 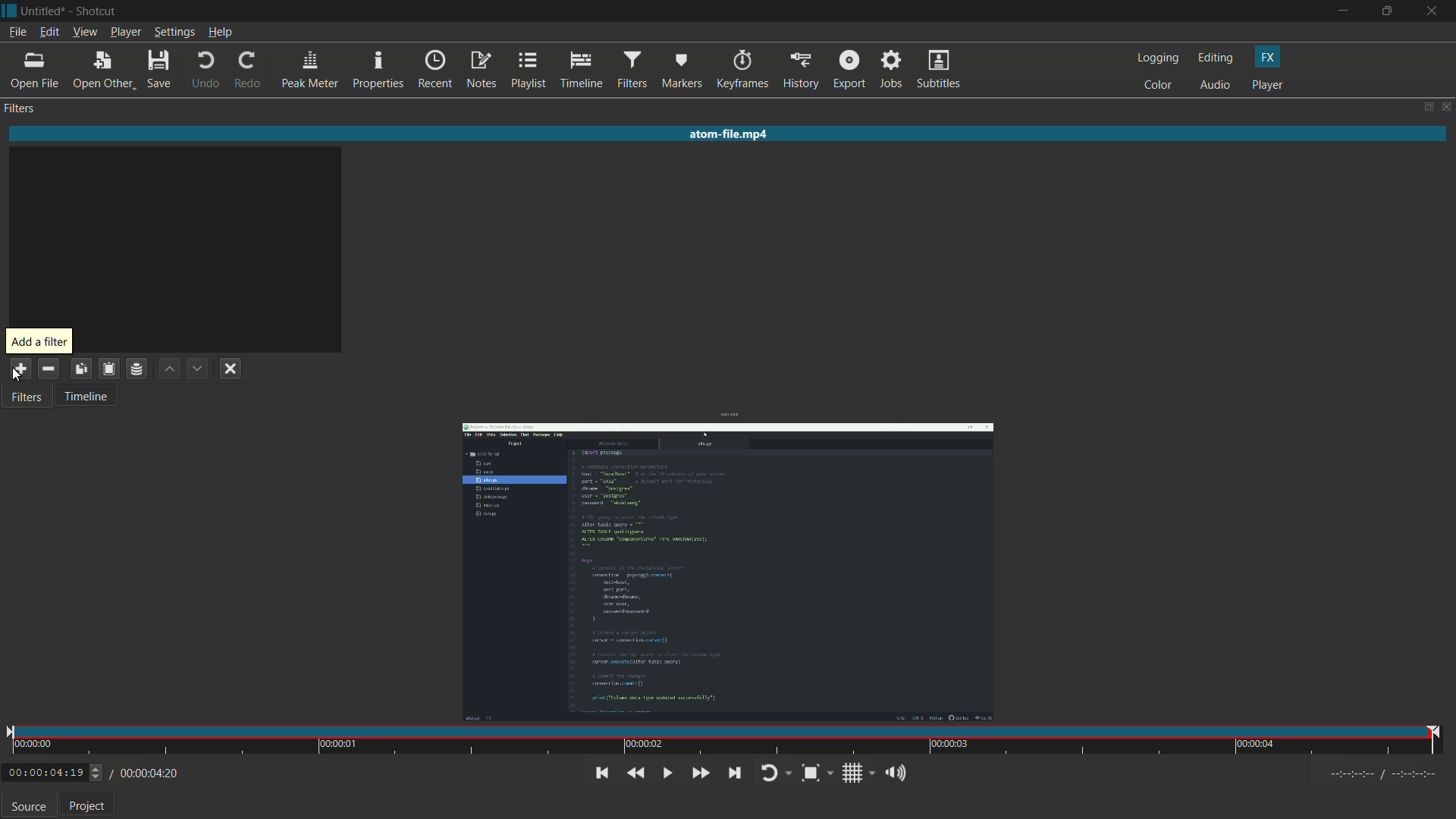 What do you see at coordinates (89, 806) in the screenshot?
I see `project` at bounding box center [89, 806].